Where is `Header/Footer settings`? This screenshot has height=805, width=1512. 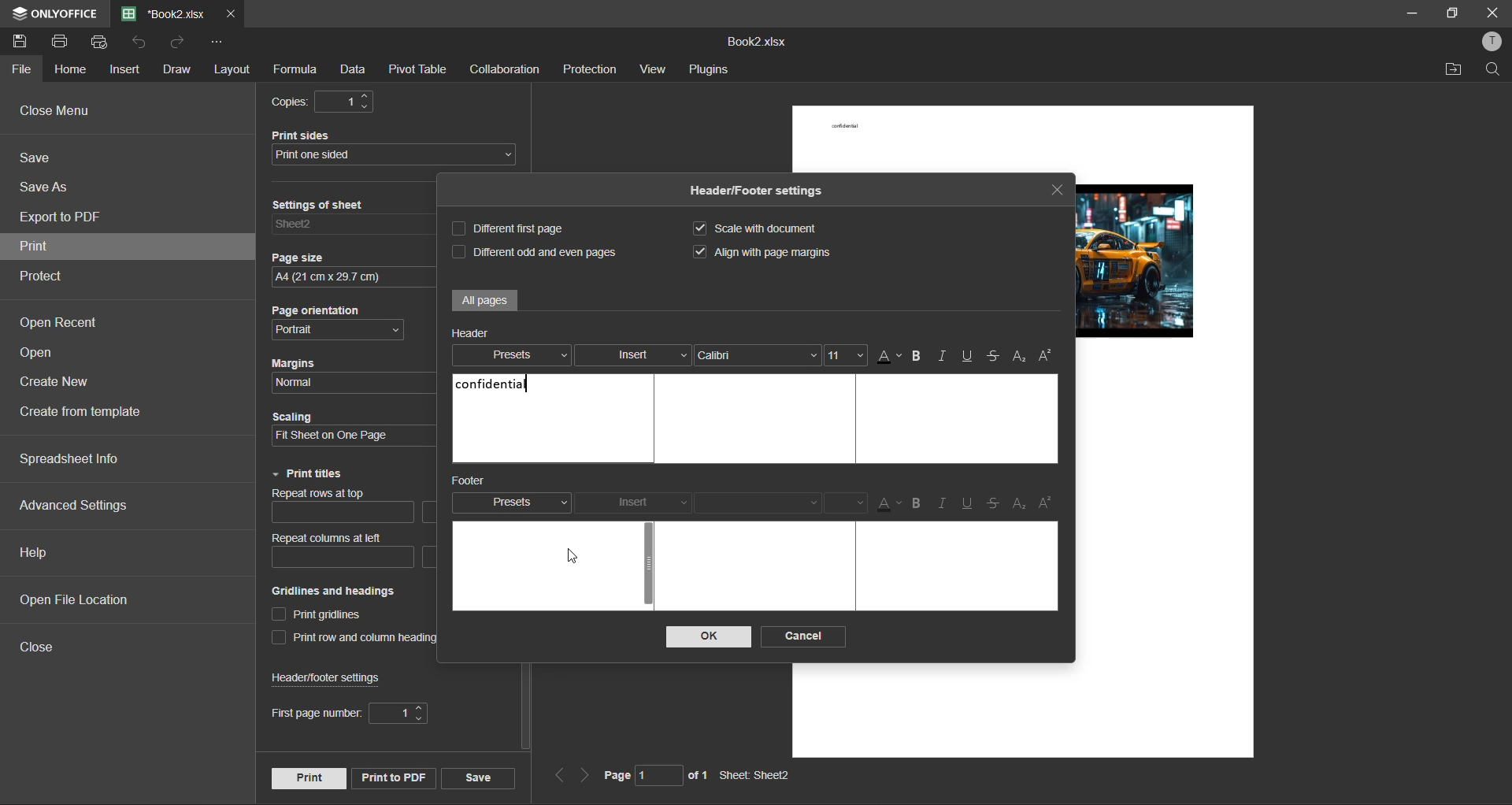
Header/Footer settings is located at coordinates (756, 189).